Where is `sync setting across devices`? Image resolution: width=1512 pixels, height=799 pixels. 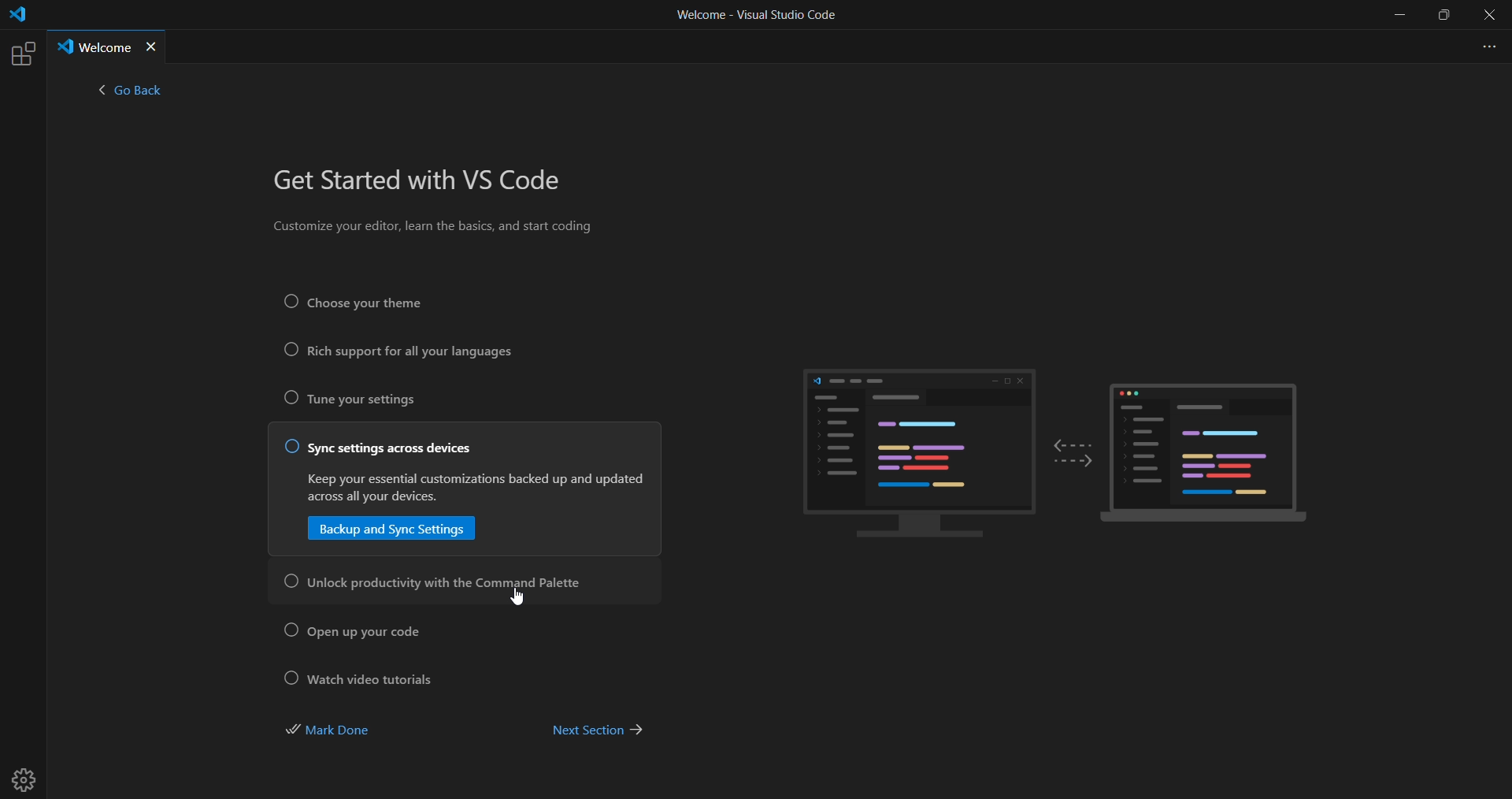 sync setting across devices is located at coordinates (391, 449).